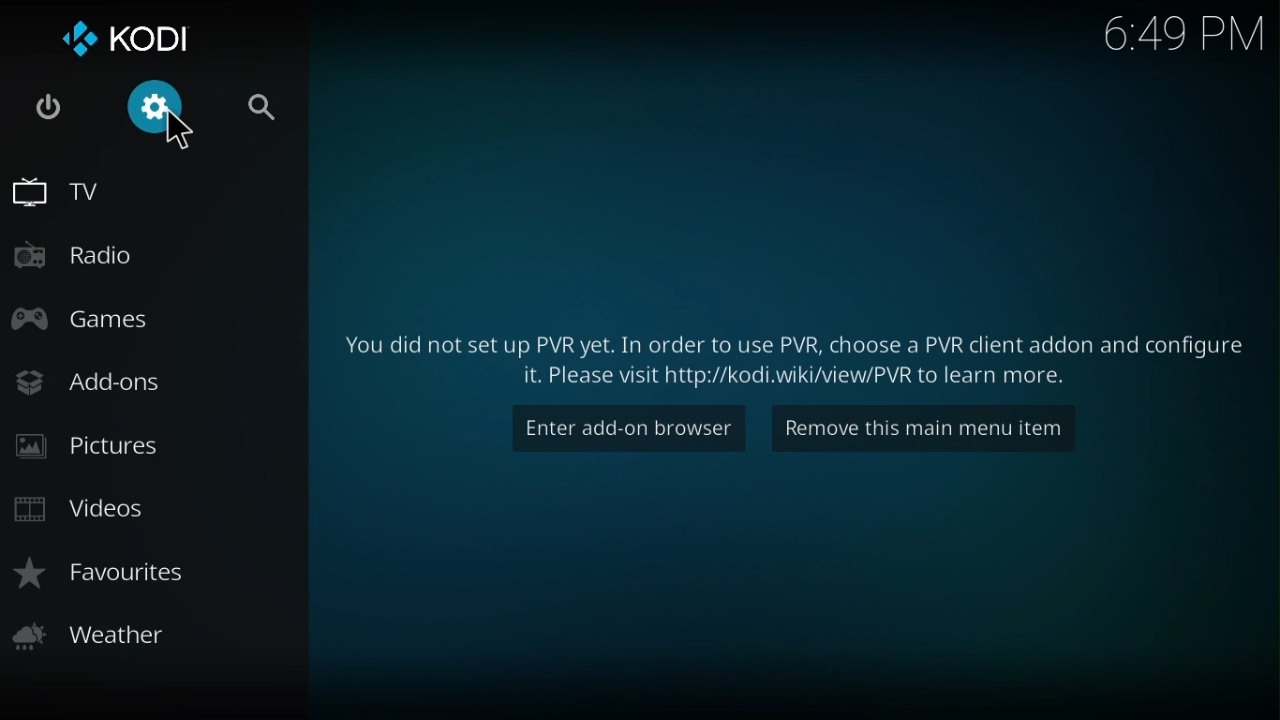 This screenshot has height=720, width=1280. What do you see at coordinates (933, 426) in the screenshot?
I see `Remove this man menu item` at bounding box center [933, 426].